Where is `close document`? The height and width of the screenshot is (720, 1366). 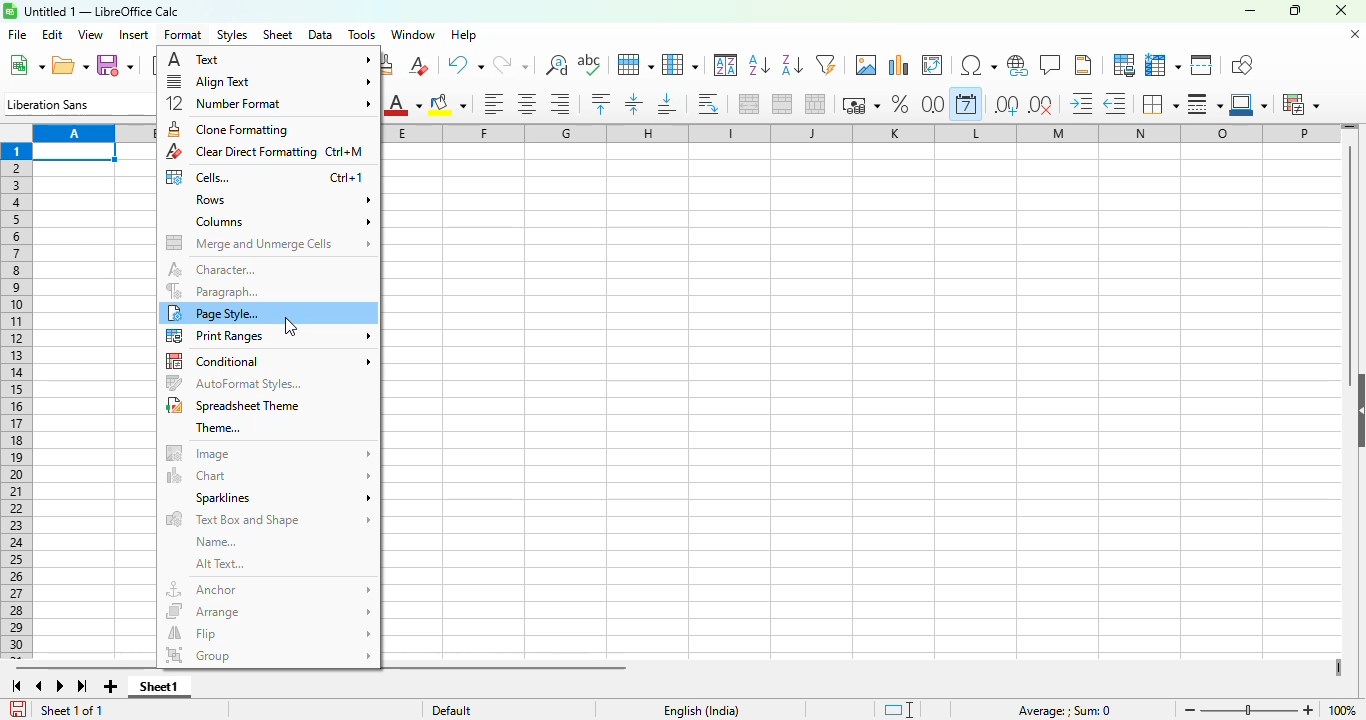
close document is located at coordinates (1356, 34).